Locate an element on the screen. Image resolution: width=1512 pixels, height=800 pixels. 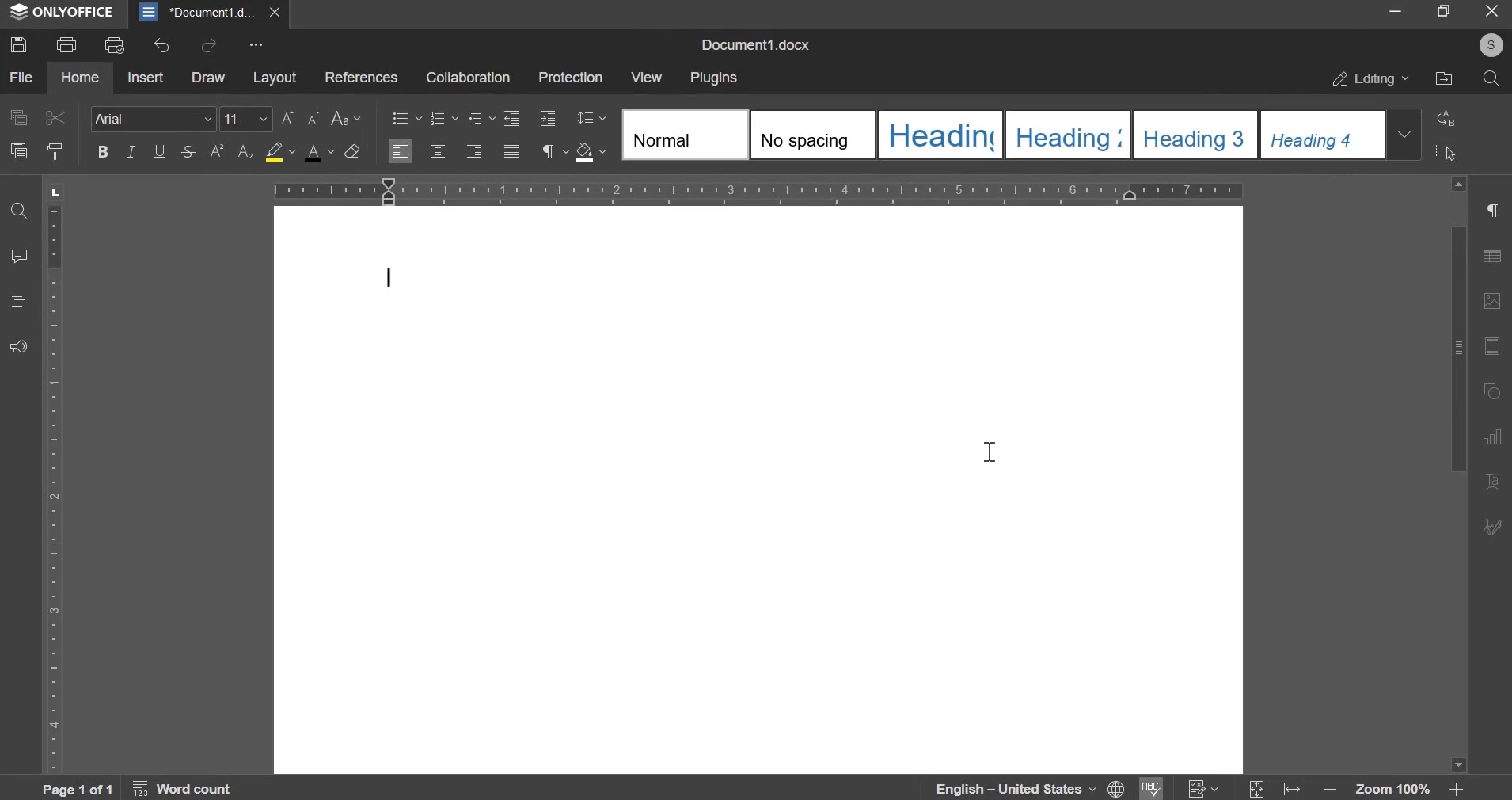
layout is located at coordinates (276, 78).